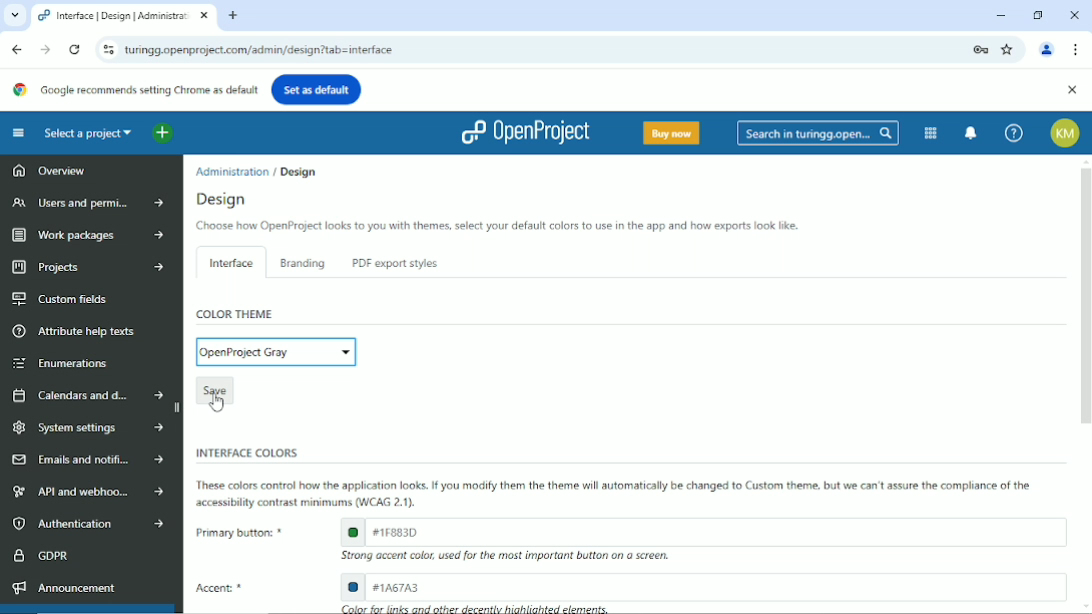  Describe the element at coordinates (1013, 133) in the screenshot. I see `Help` at that location.